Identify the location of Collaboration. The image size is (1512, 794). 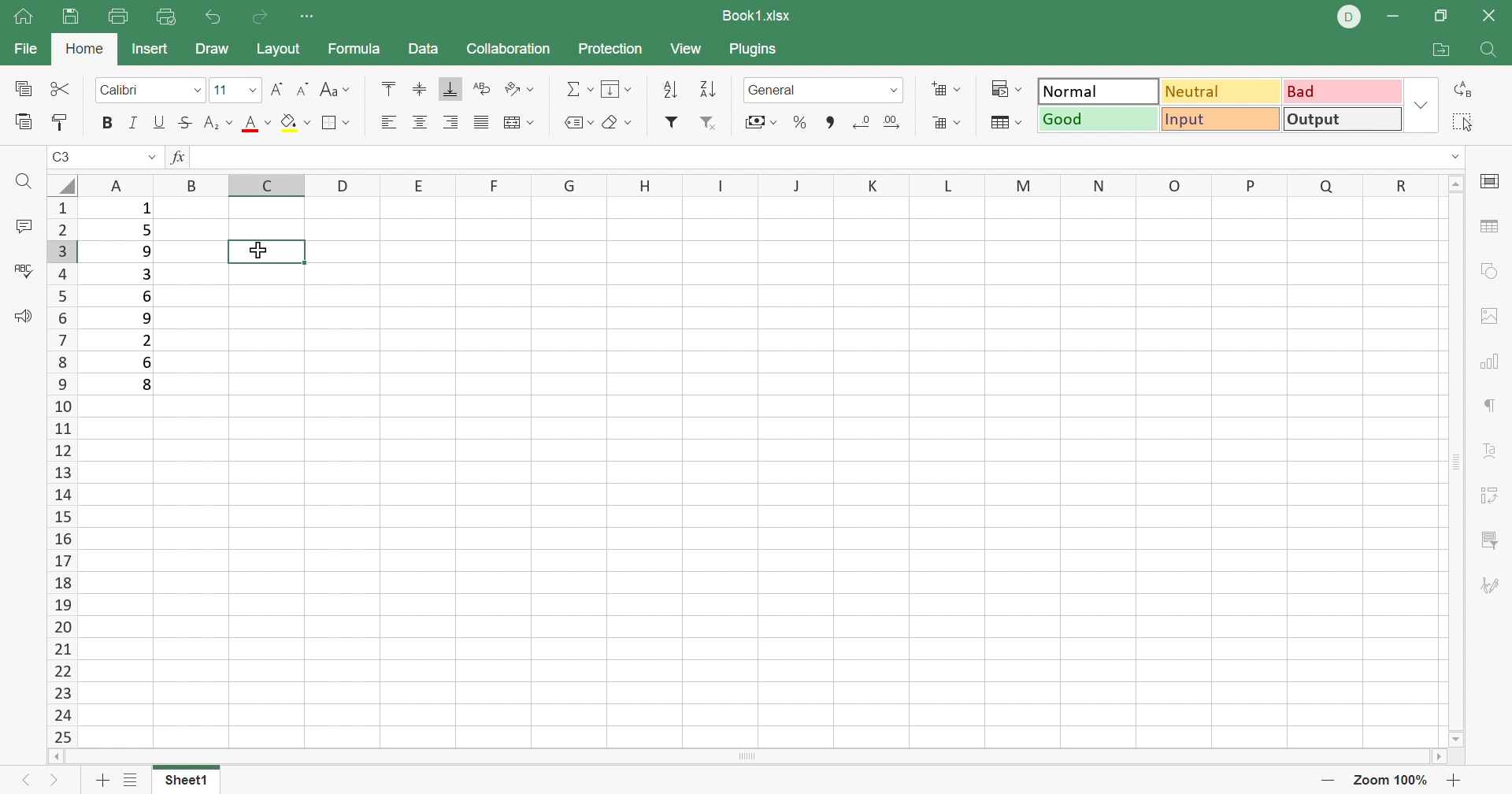
(511, 50).